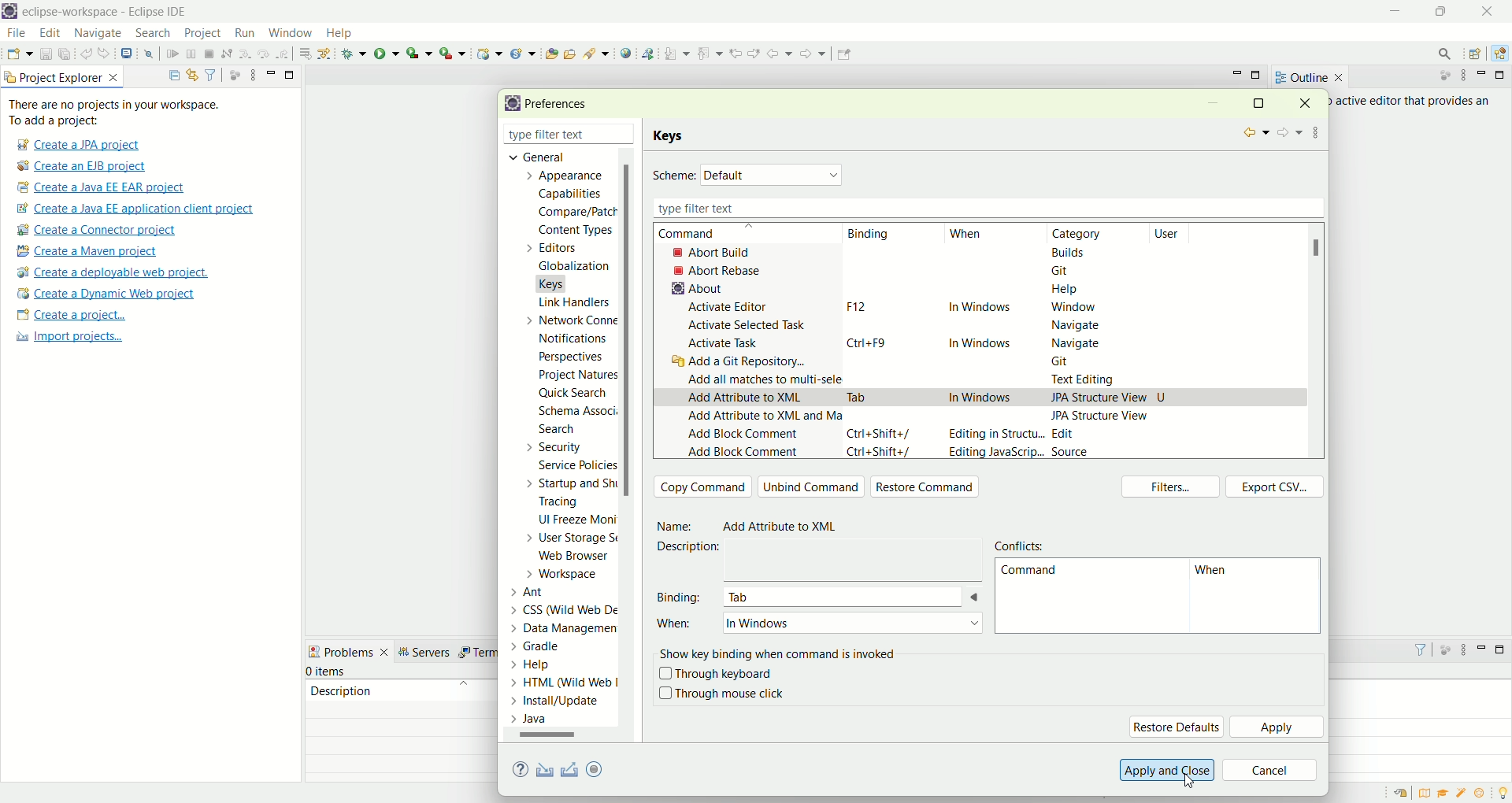  Describe the element at coordinates (647, 53) in the screenshot. I see `web service explorer` at that location.